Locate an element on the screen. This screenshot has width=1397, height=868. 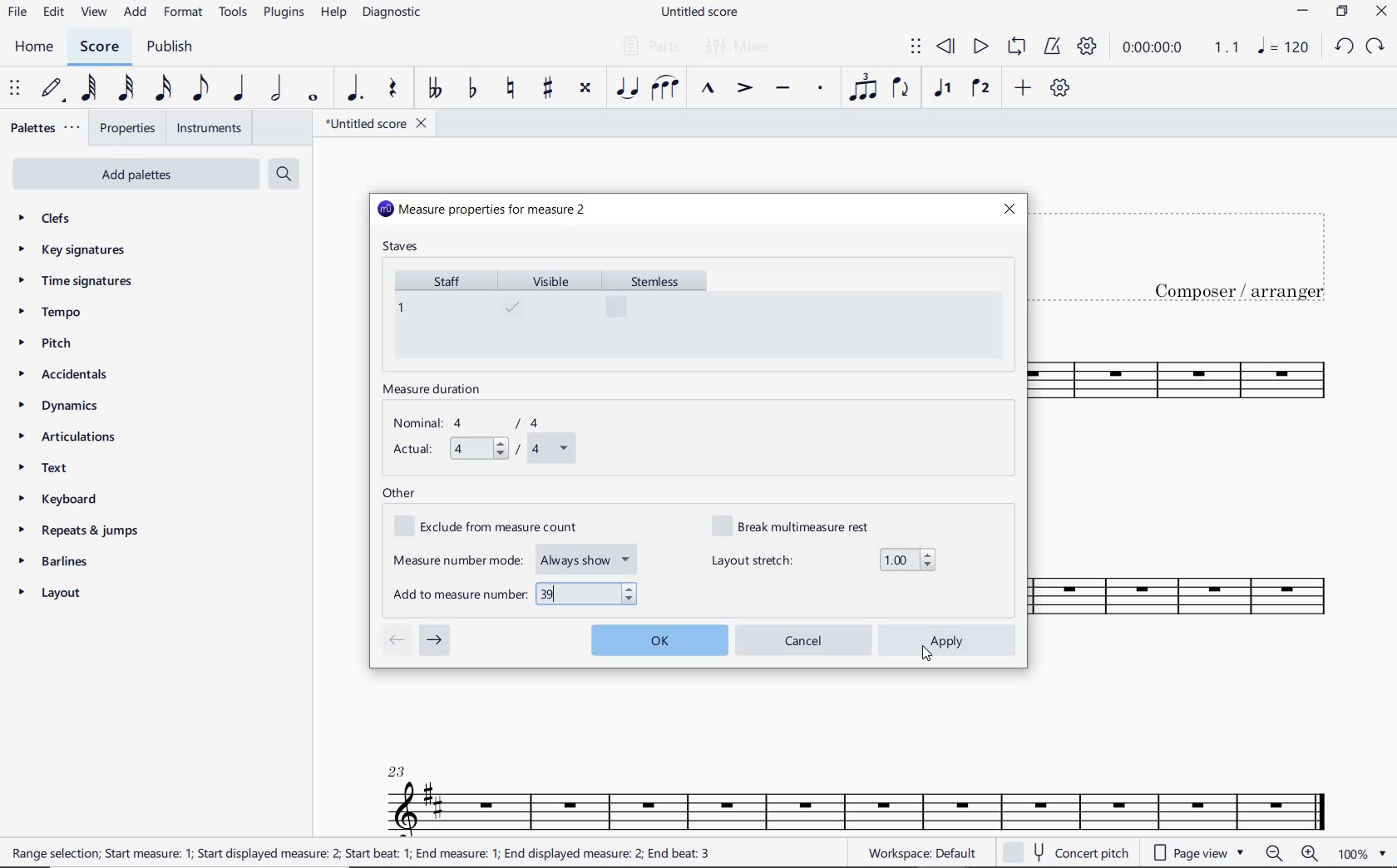
cancel is located at coordinates (806, 640).